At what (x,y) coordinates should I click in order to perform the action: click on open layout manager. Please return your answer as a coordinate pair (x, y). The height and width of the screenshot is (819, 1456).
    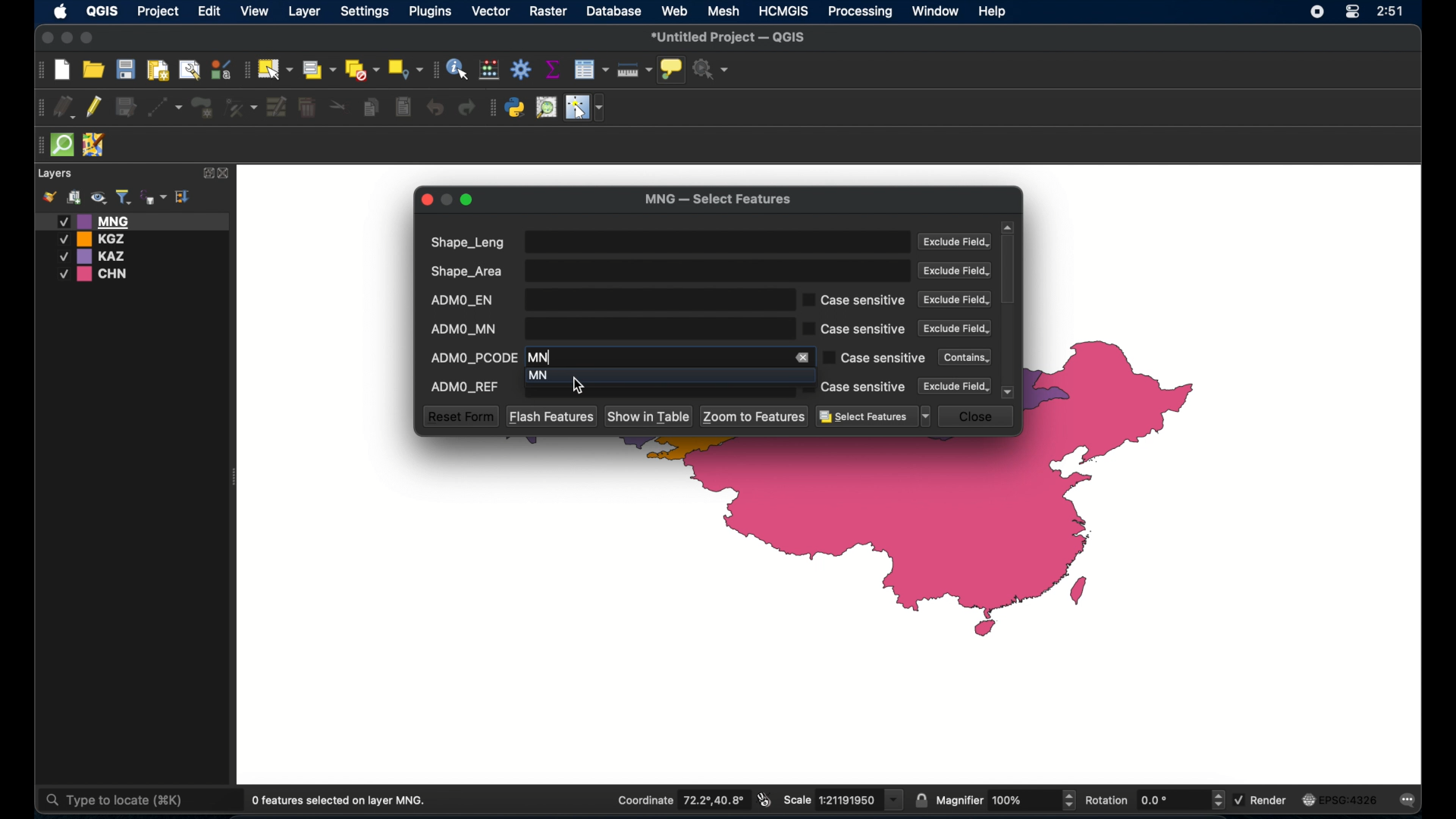
    Looking at the image, I should click on (188, 69).